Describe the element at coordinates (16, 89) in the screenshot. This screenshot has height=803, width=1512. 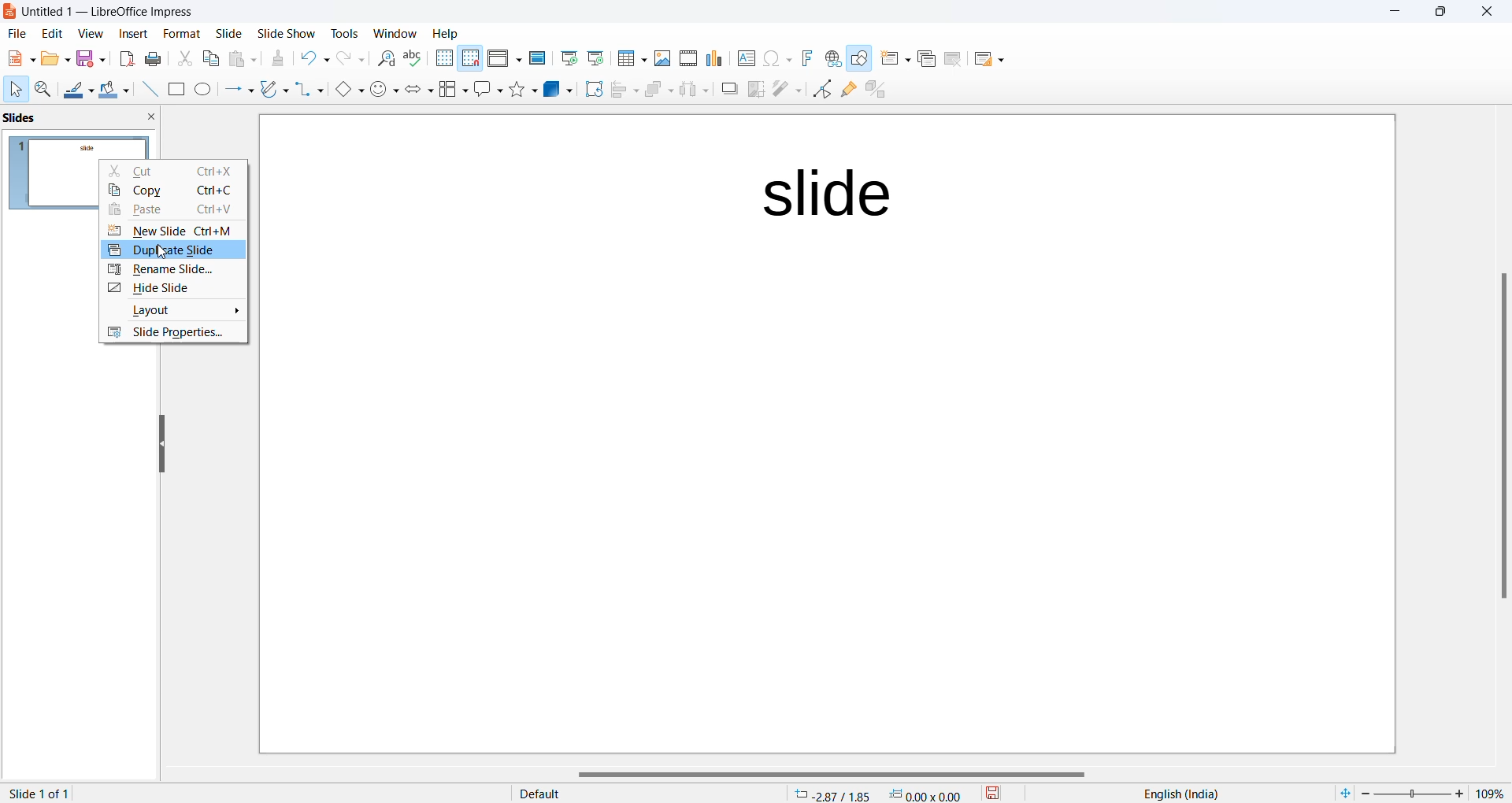
I see `Cursor` at that location.